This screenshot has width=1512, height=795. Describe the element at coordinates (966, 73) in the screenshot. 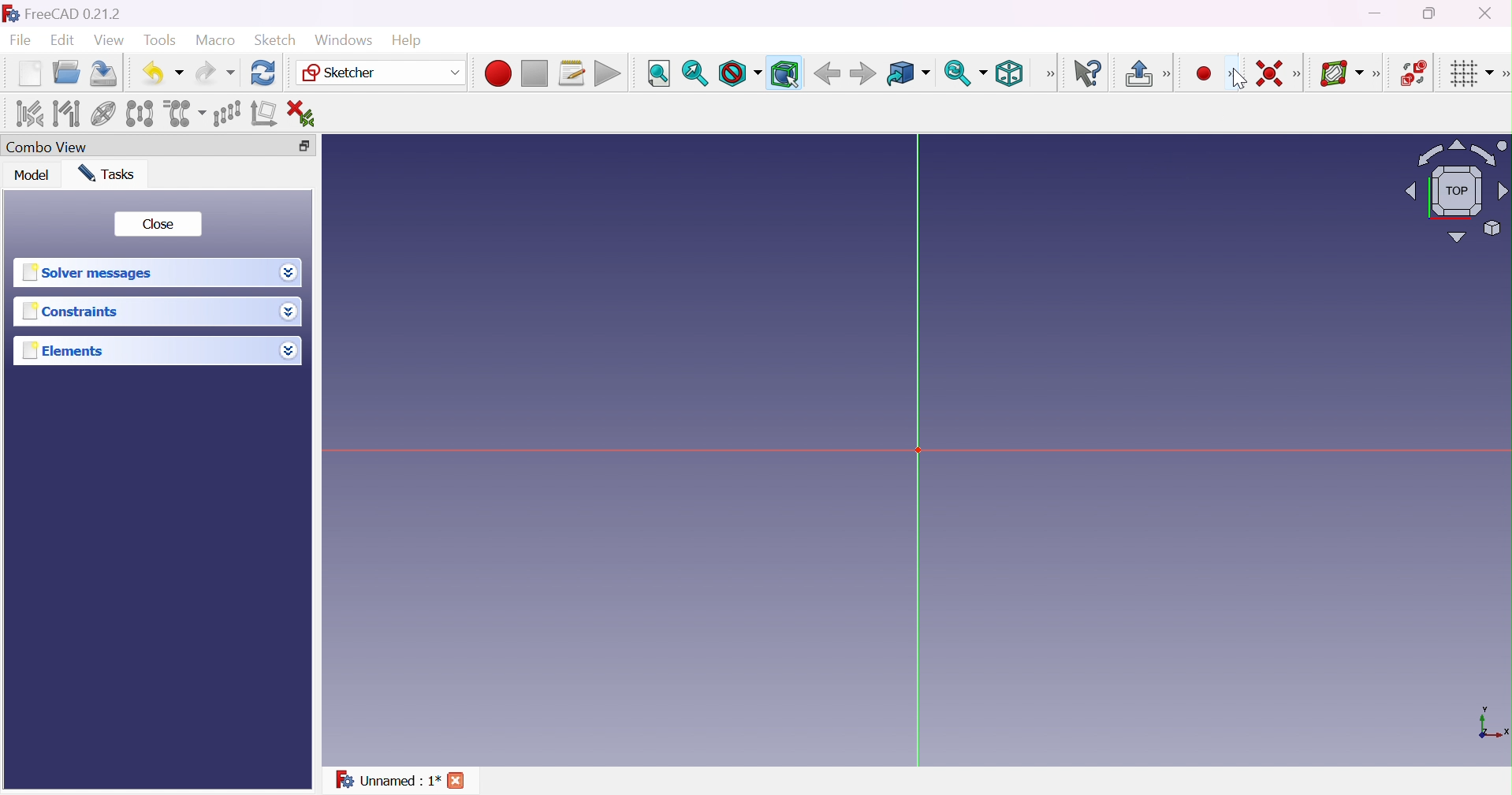

I see `Sync view` at that location.